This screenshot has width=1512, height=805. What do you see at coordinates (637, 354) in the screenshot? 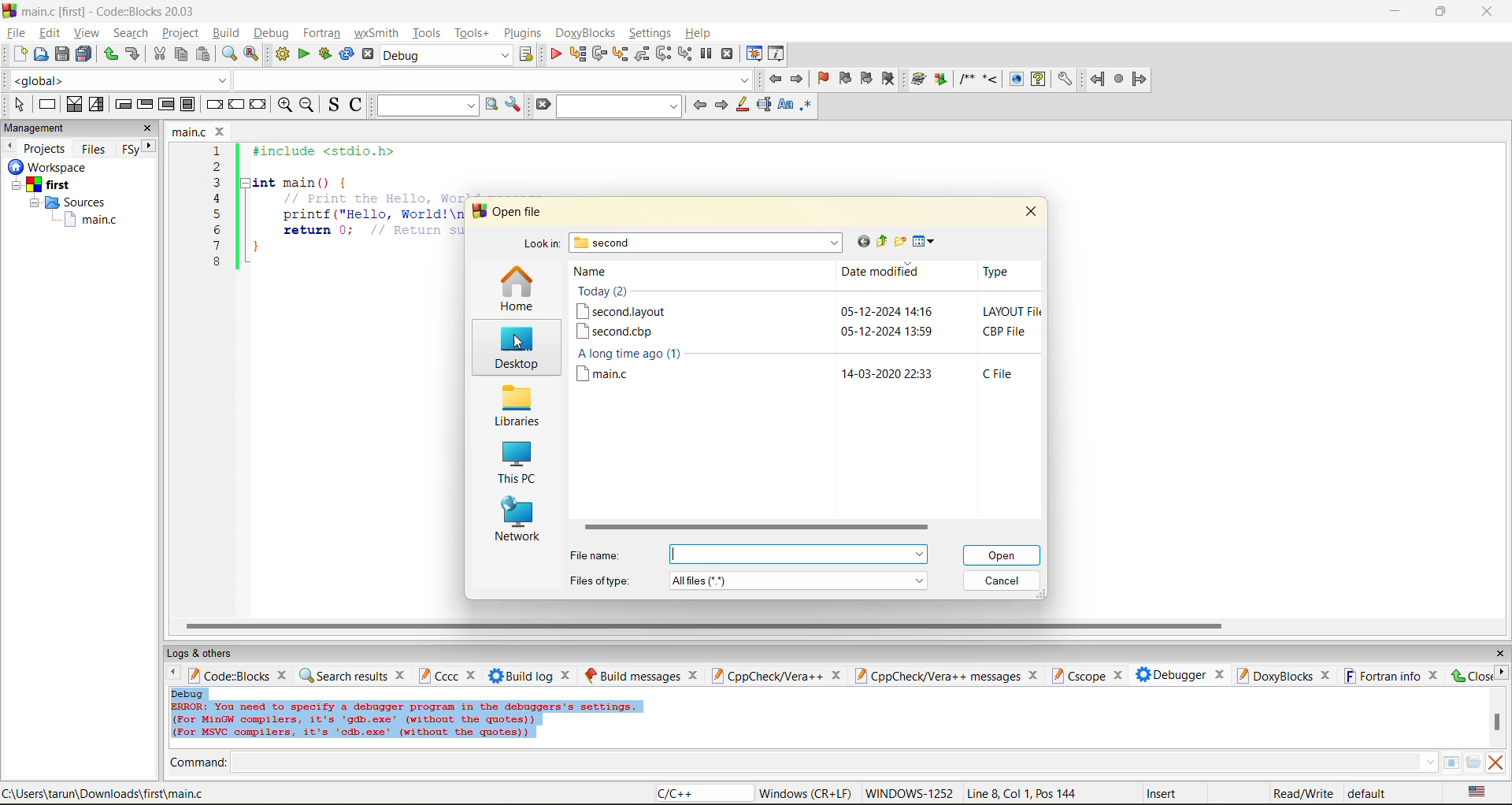
I see `A long time ago (1)` at bounding box center [637, 354].